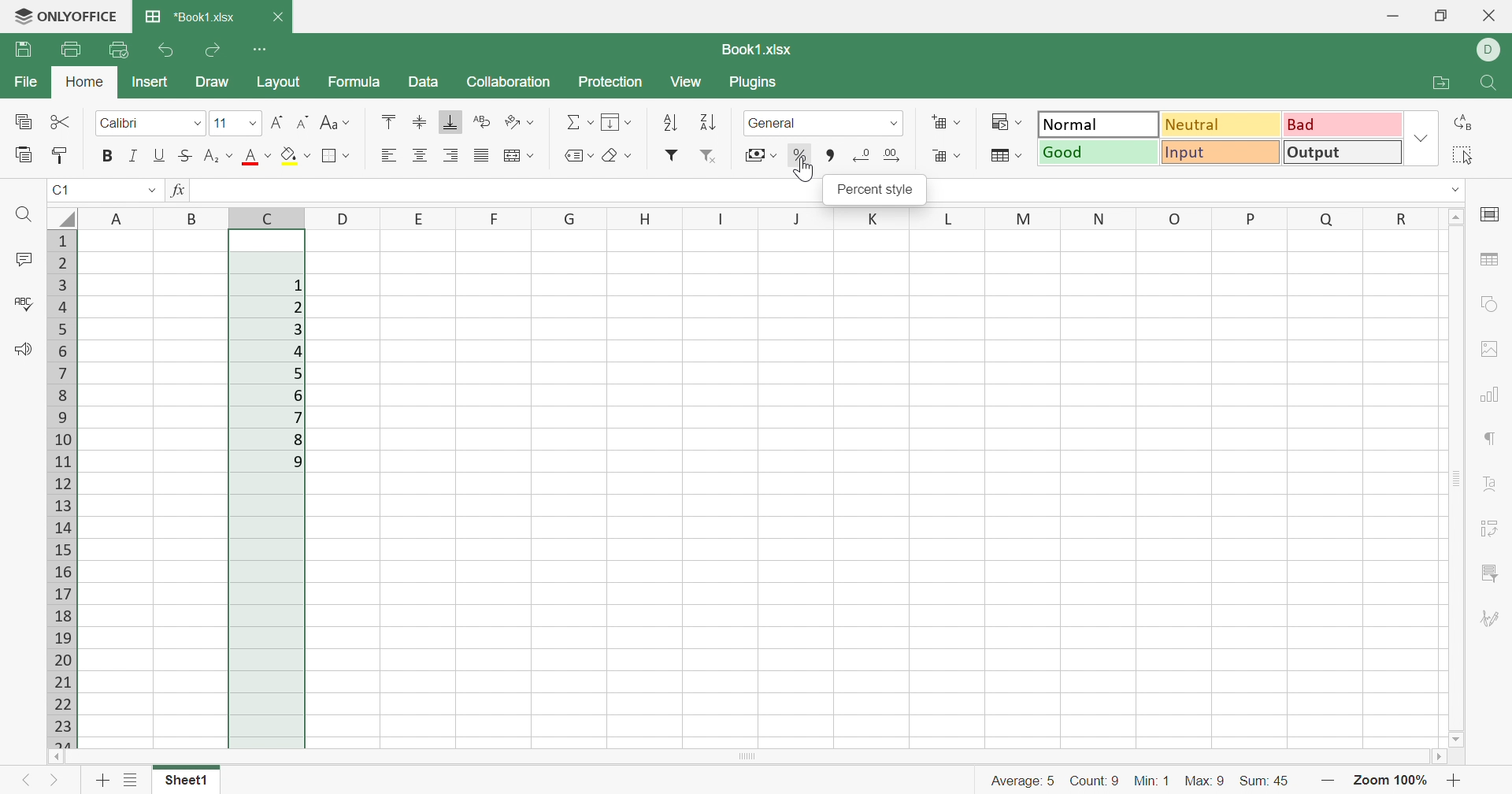 This screenshot has width=1512, height=794. What do you see at coordinates (642, 220) in the screenshot?
I see `H` at bounding box center [642, 220].